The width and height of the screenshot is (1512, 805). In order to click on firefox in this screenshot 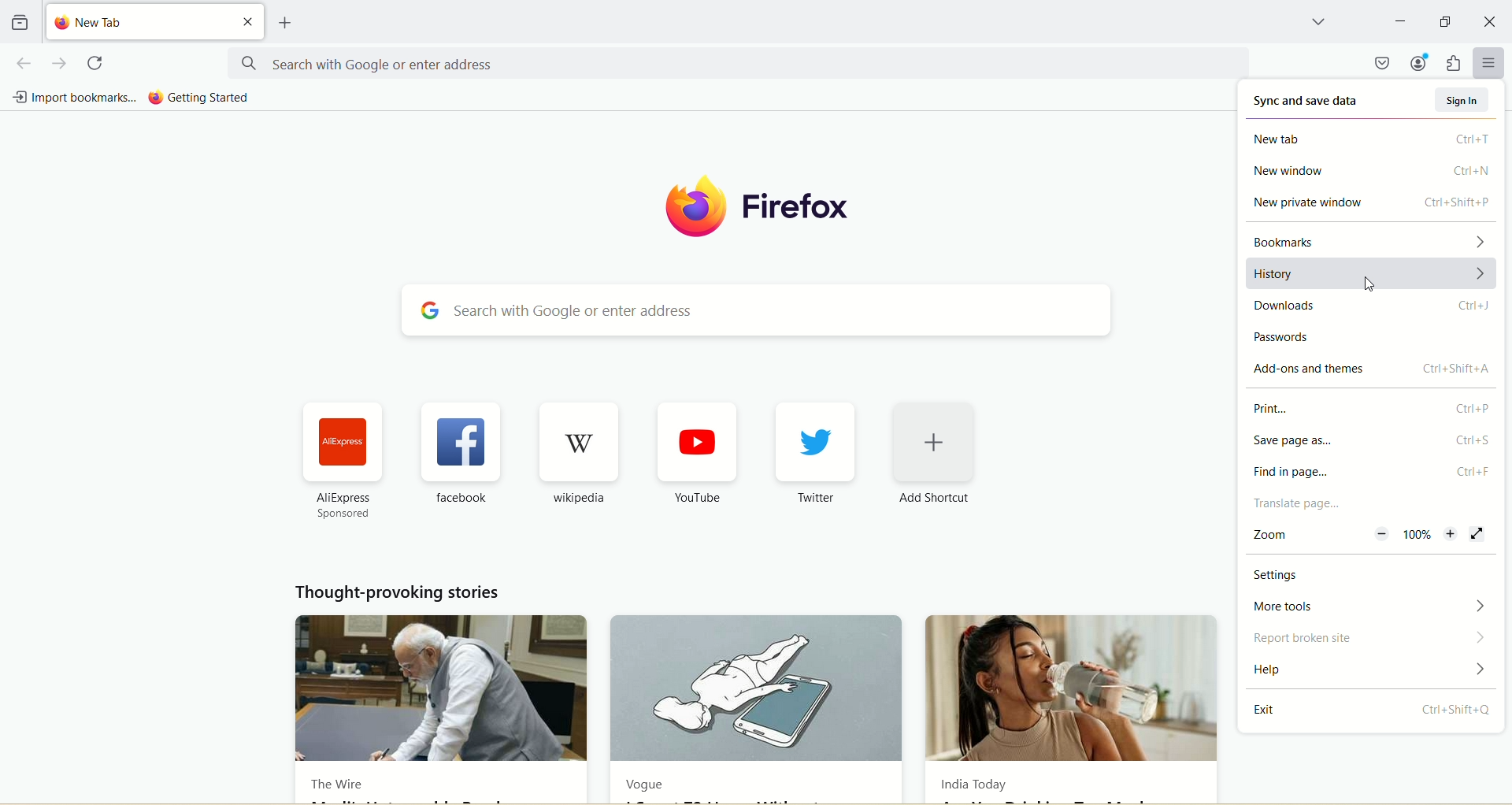, I will do `click(797, 210)`.